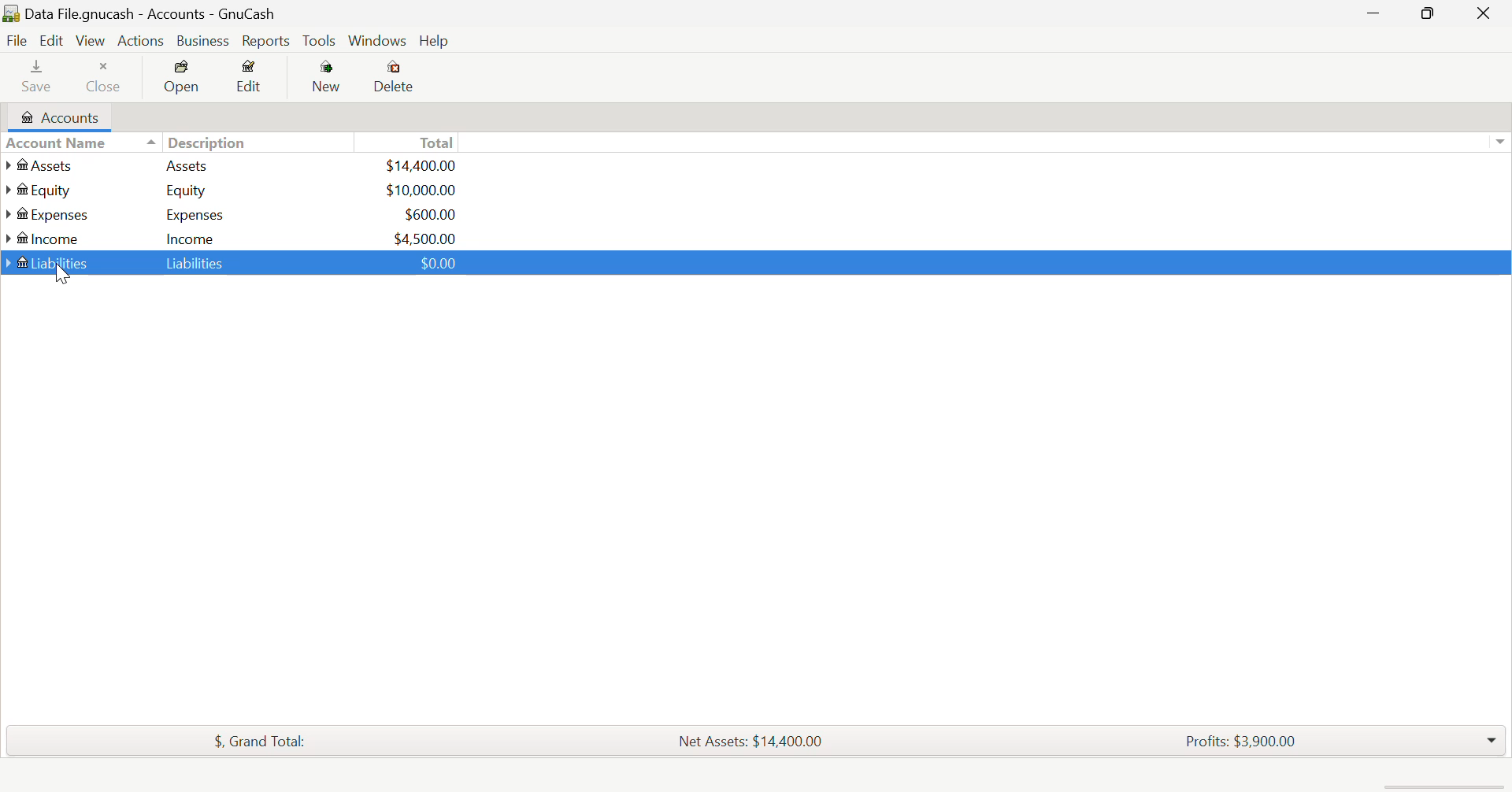 The image size is (1512, 792). What do you see at coordinates (378, 43) in the screenshot?
I see `Windows` at bounding box center [378, 43].